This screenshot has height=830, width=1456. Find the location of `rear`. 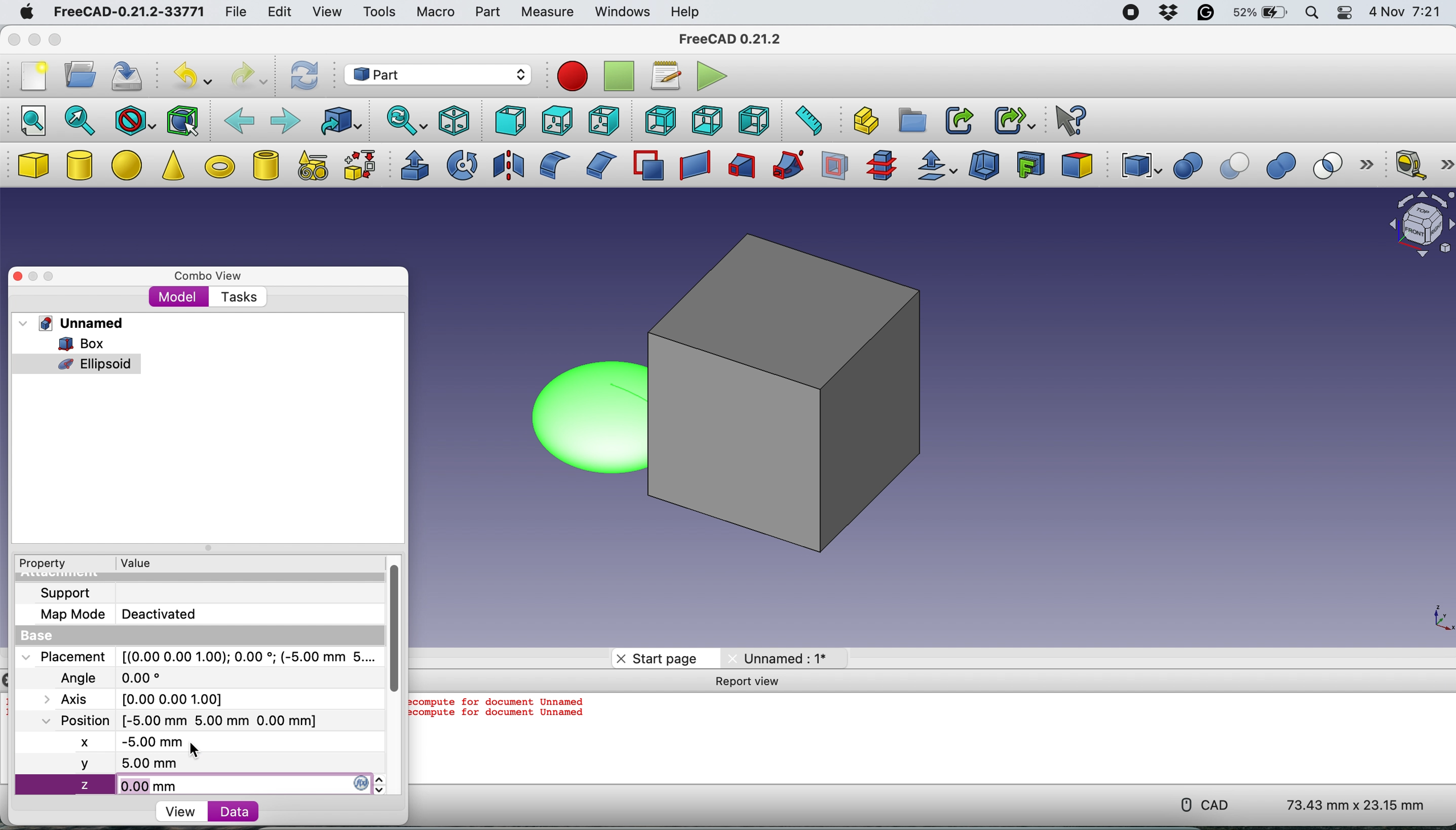

rear is located at coordinates (658, 120).